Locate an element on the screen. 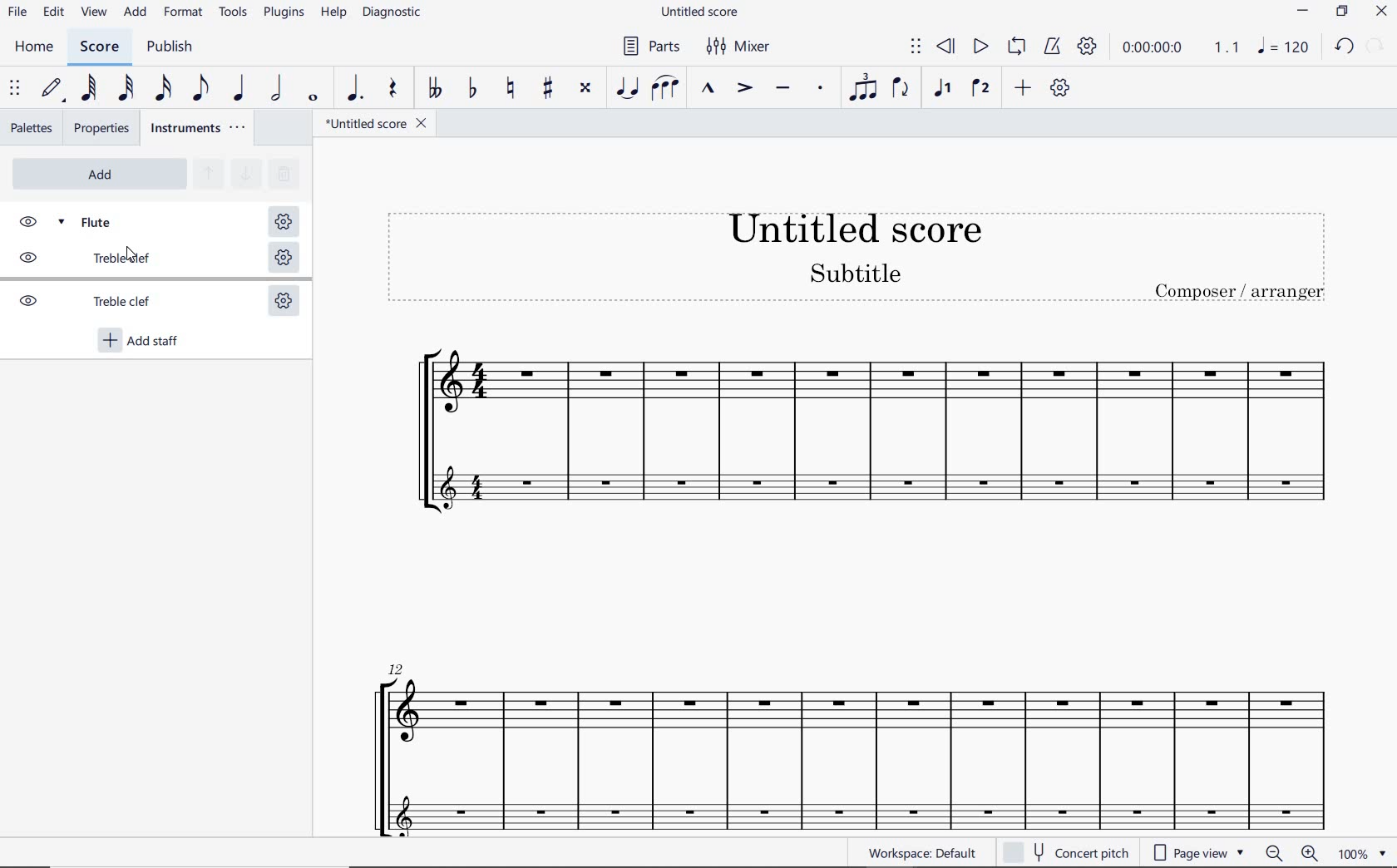  file name is located at coordinates (375, 124).